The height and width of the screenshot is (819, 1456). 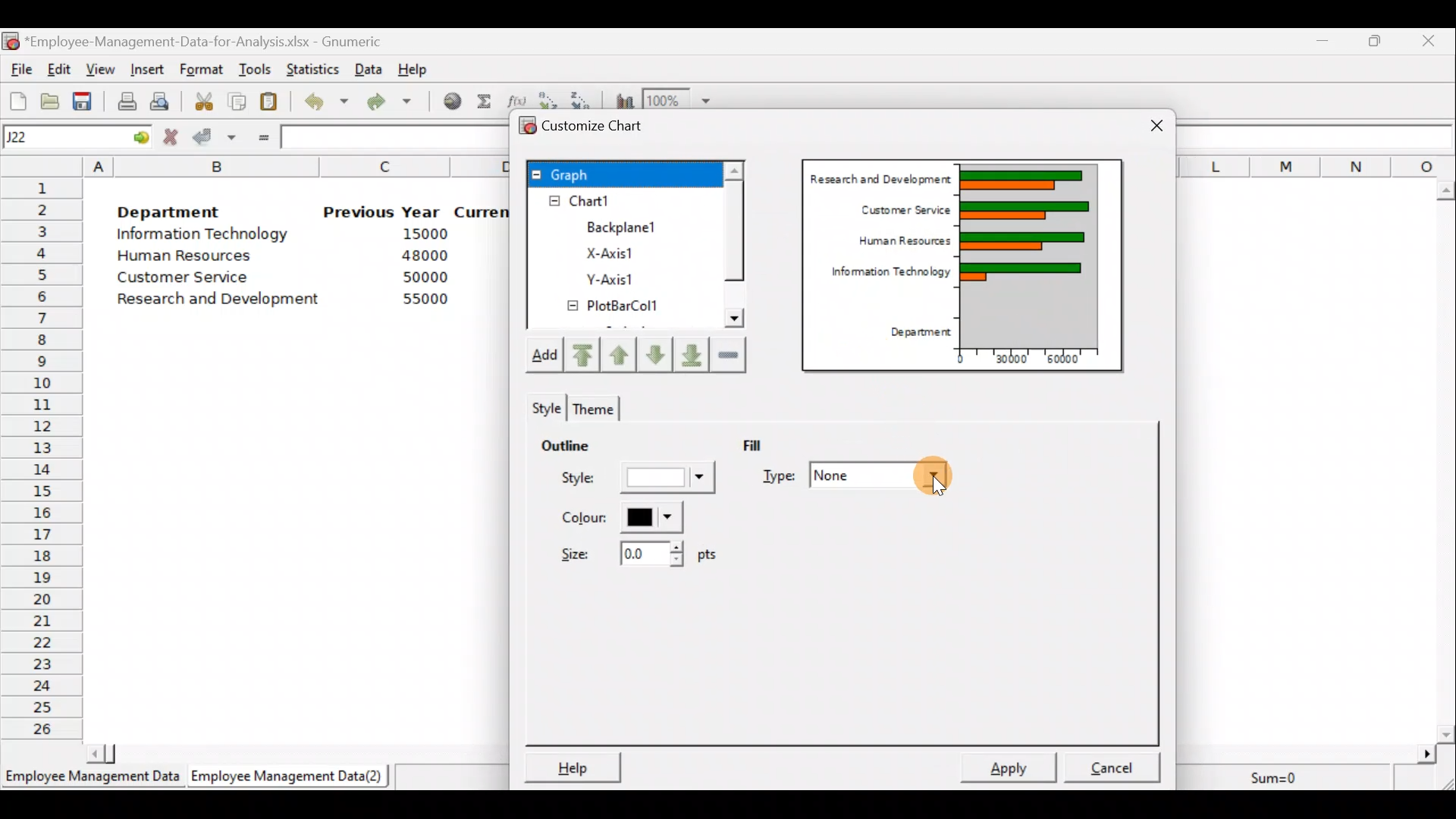 What do you see at coordinates (290, 777) in the screenshot?
I see `Employee Management Data (2)` at bounding box center [290, 777].